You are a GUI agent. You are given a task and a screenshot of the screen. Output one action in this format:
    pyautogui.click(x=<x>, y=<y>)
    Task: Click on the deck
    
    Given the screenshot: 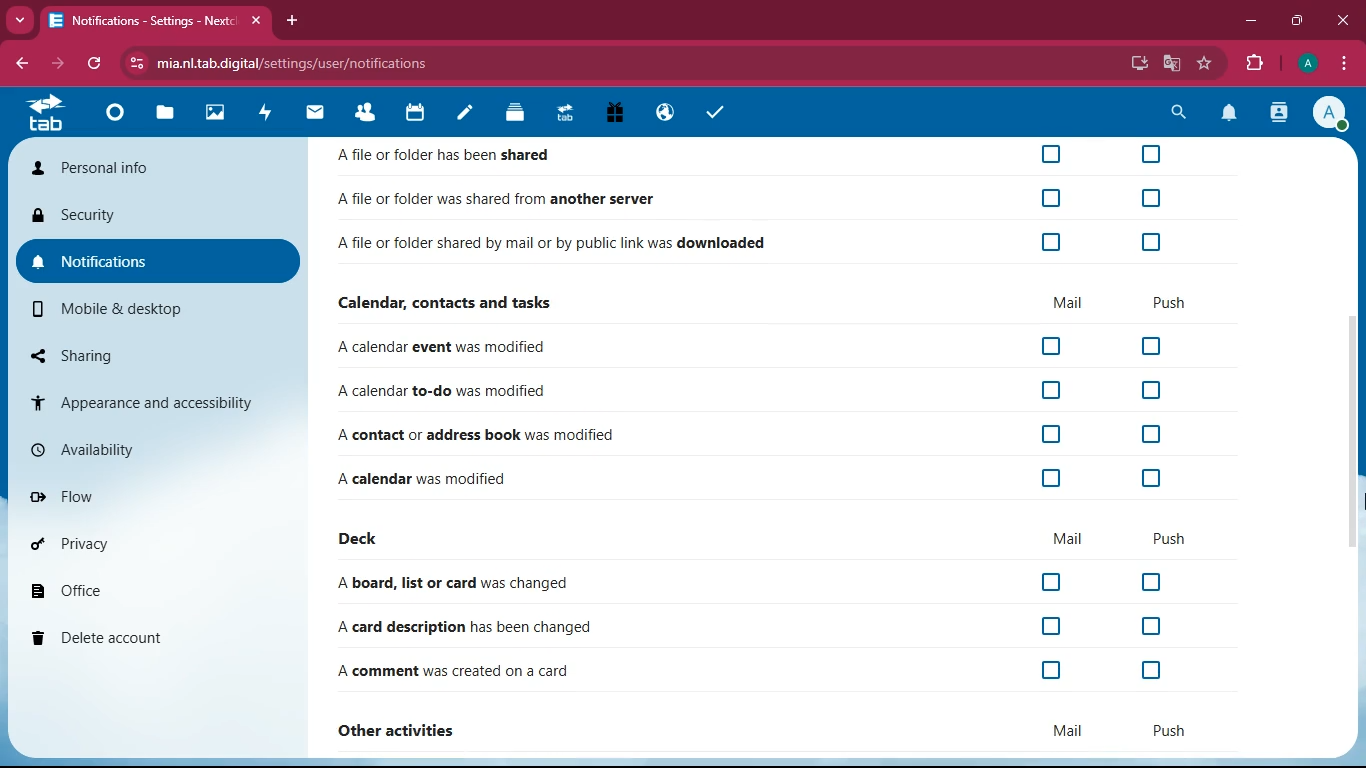 What is the action you would take?
    pyautogui.click(x=366, y=540)
    